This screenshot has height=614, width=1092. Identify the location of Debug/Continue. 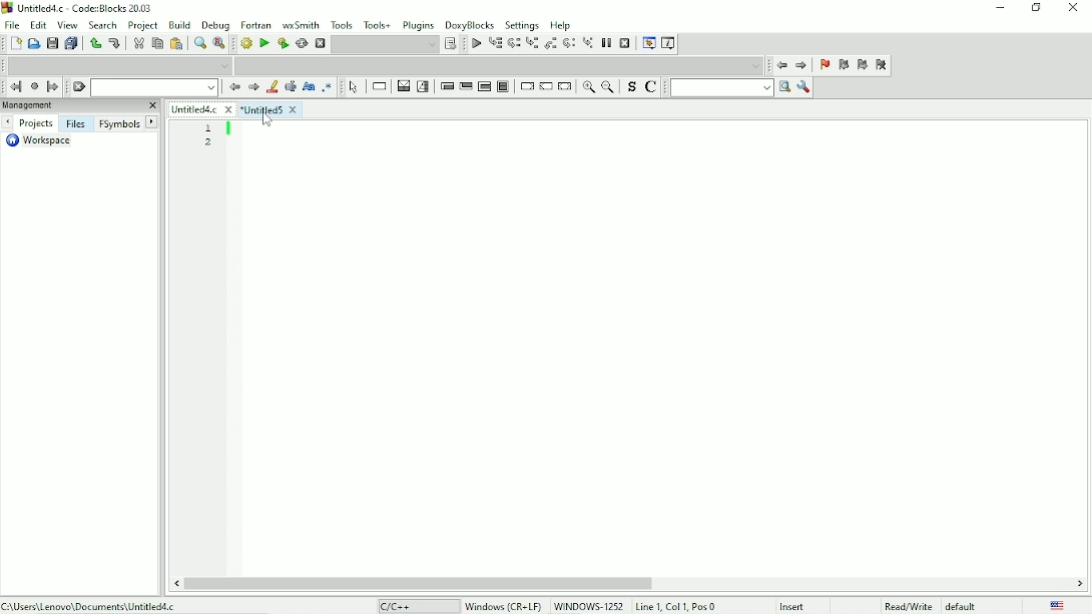
(475, 44).